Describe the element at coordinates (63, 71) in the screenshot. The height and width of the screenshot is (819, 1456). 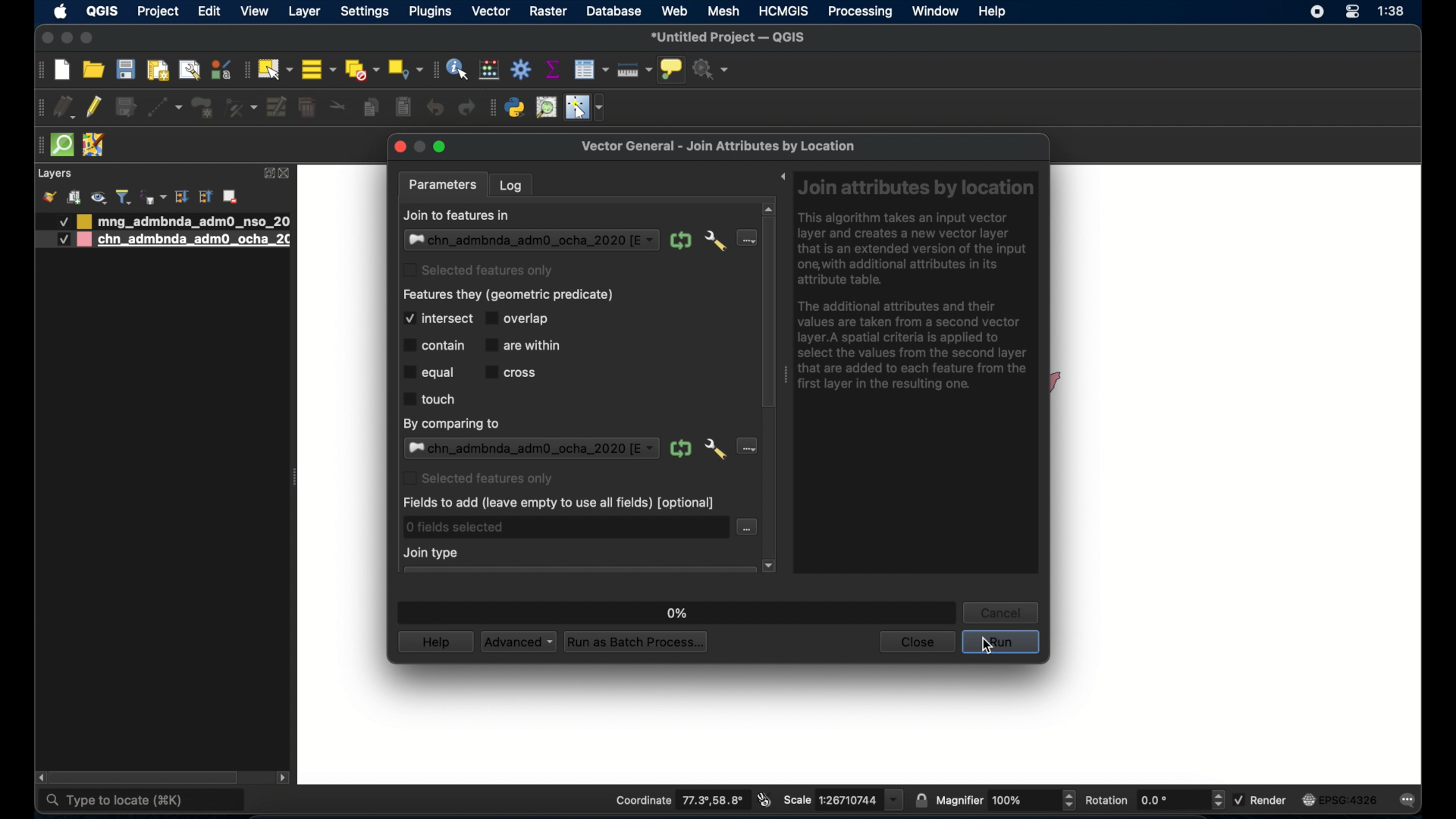
I see `new project` at that location.